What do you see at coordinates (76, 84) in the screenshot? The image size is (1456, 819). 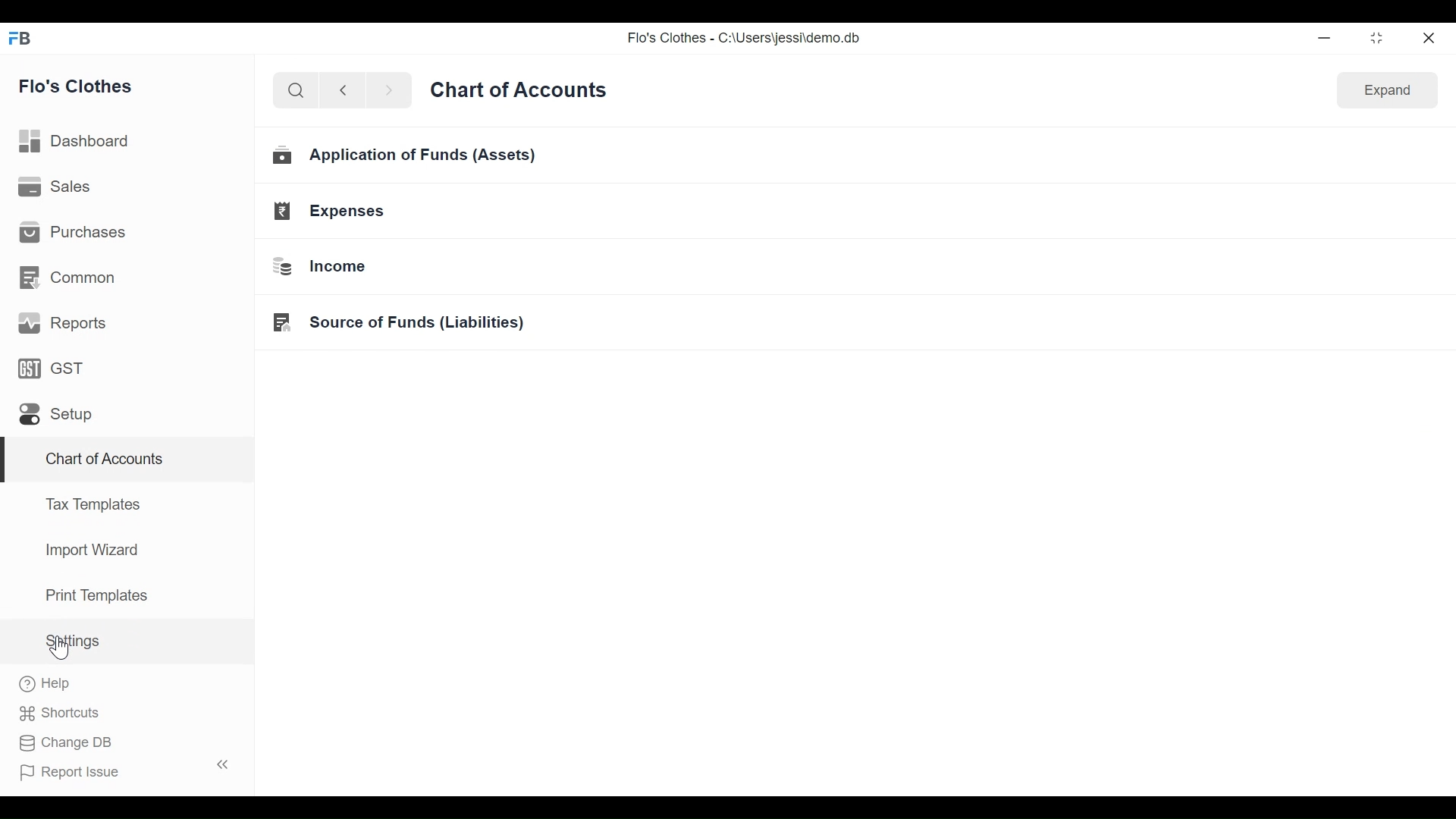 I see `Flo's Clothes` at bounding box center [76, 84].